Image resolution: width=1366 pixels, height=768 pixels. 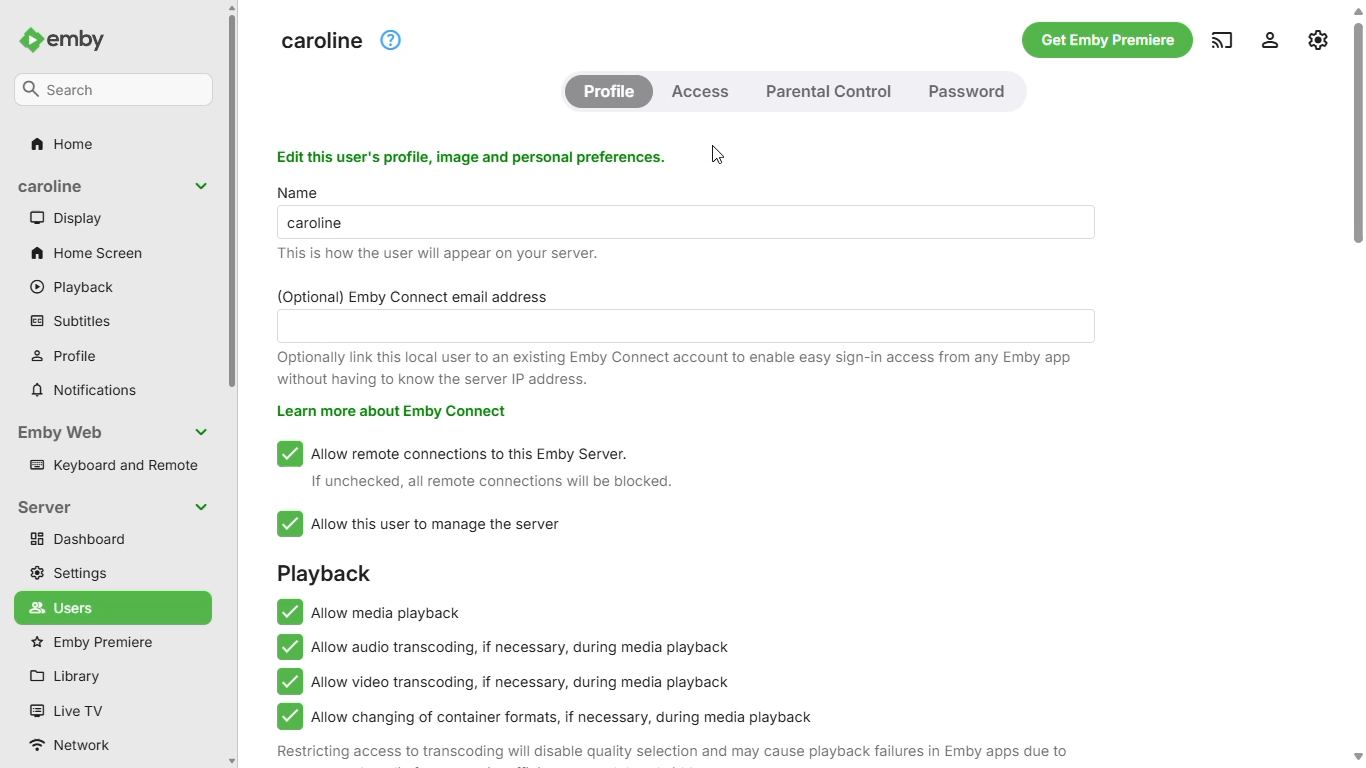 I want to click on settings, so click(x=68, y=573).